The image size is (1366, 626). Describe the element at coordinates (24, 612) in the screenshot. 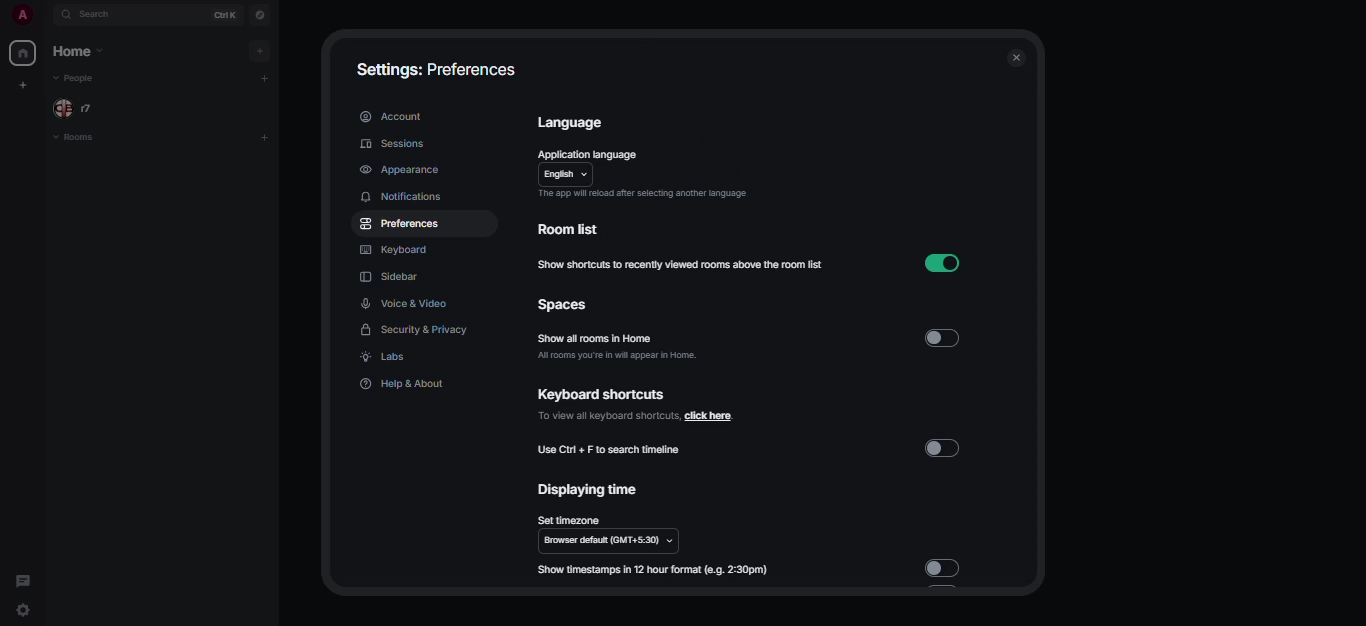

I see `quick settings` at that location.